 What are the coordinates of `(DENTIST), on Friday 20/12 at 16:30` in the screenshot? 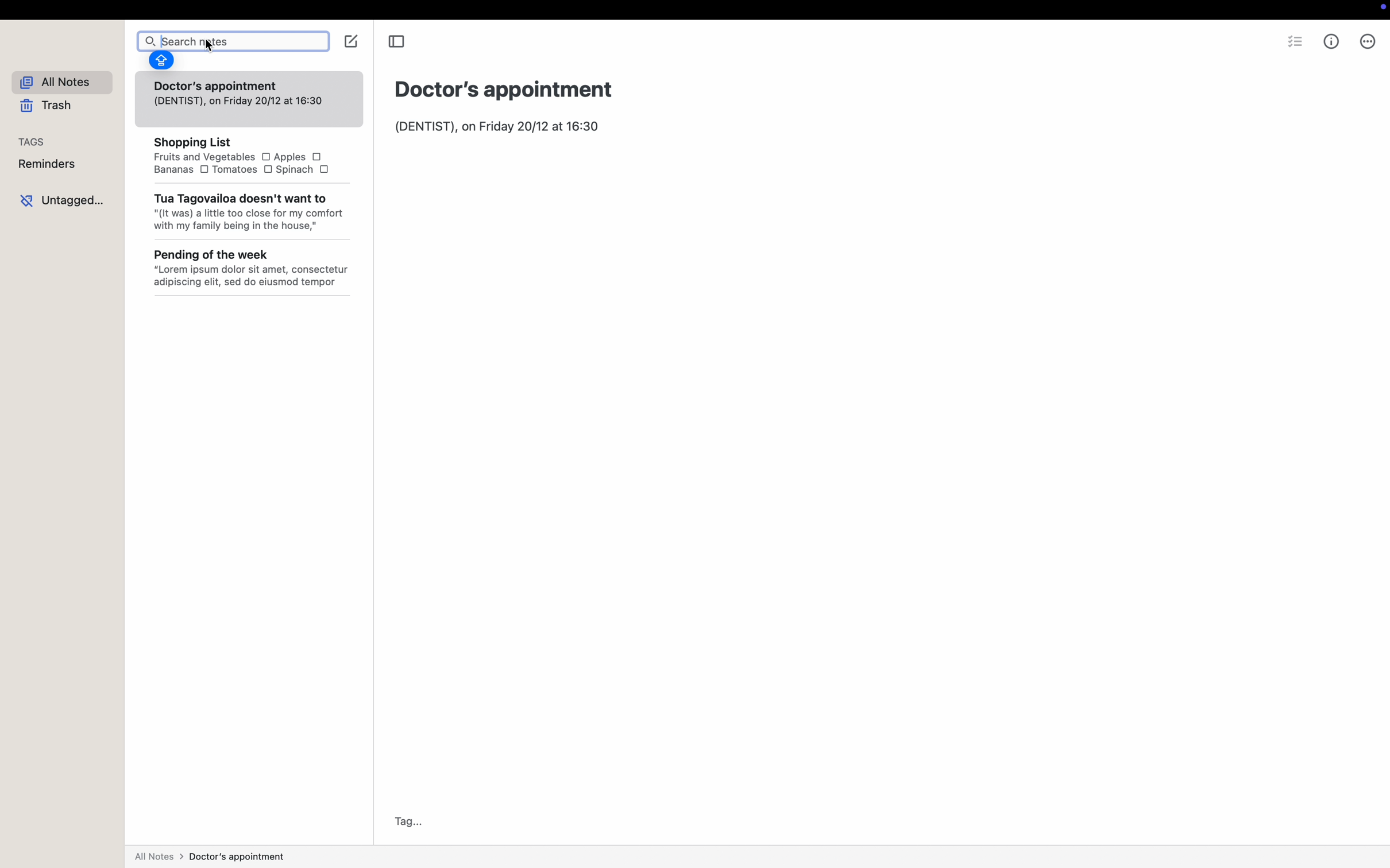 It's located at (498, 127).